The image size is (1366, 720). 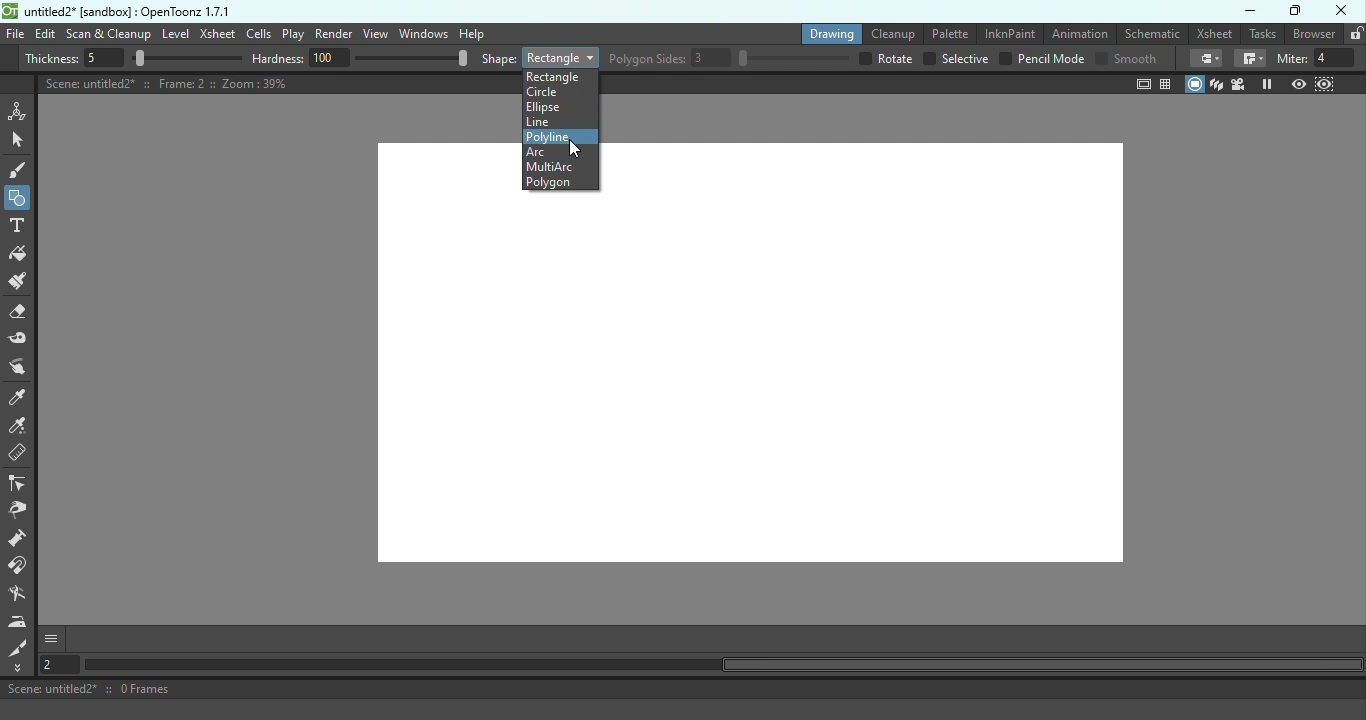 What do you see at coordinates (167, 84) in the screenshot?
I see `Canvas details` at bounding box center [167, 84].